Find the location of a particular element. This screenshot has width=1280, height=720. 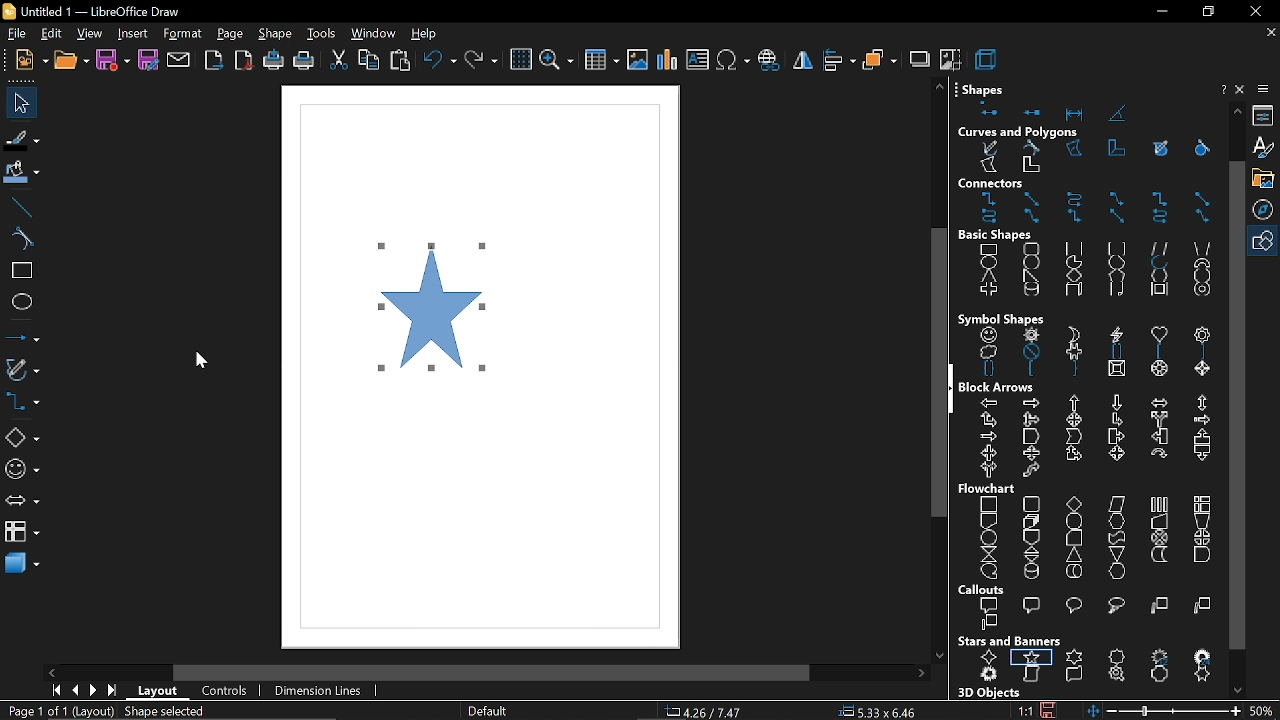

export as is located at coordinates (242, 61).